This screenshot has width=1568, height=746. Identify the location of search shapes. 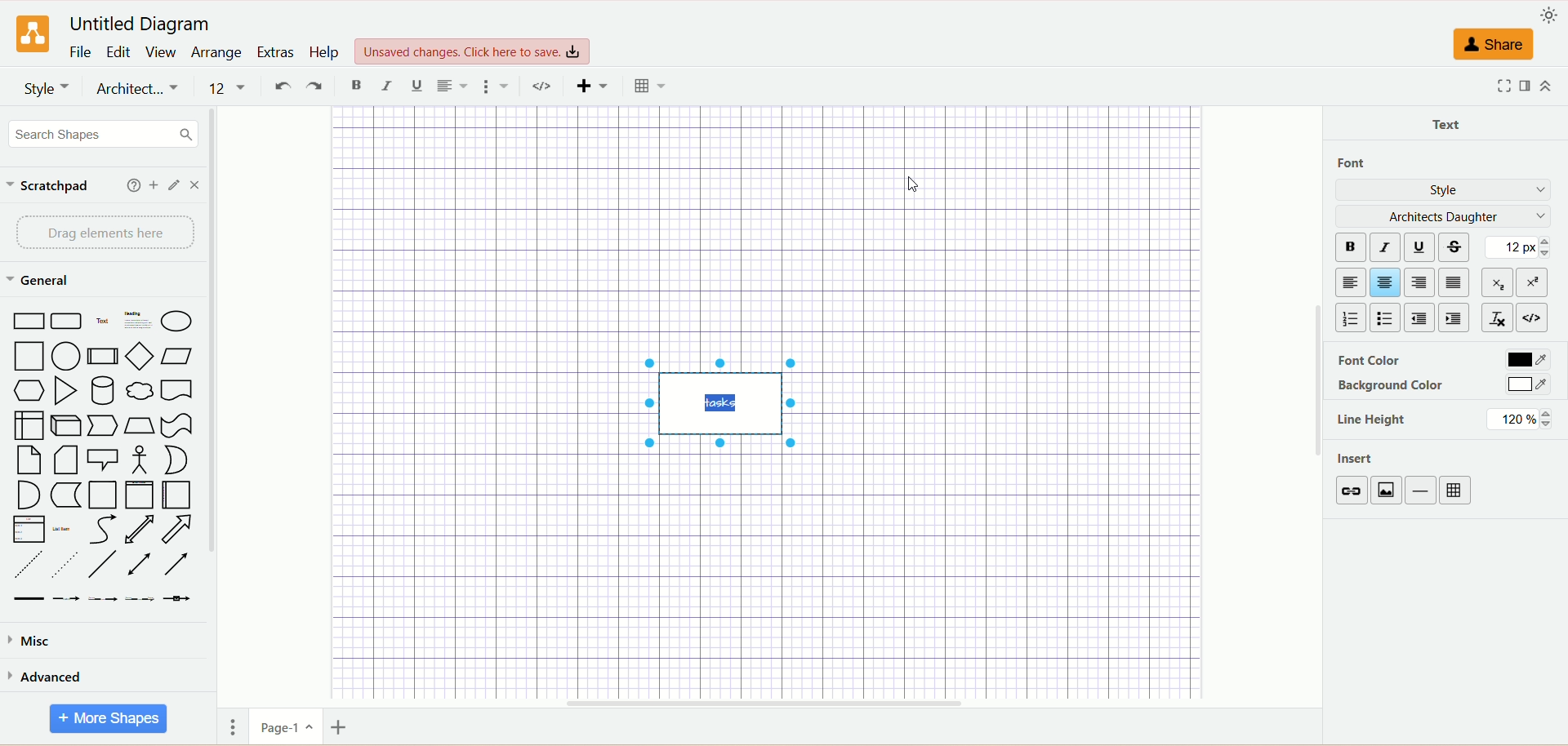
(105, 134).